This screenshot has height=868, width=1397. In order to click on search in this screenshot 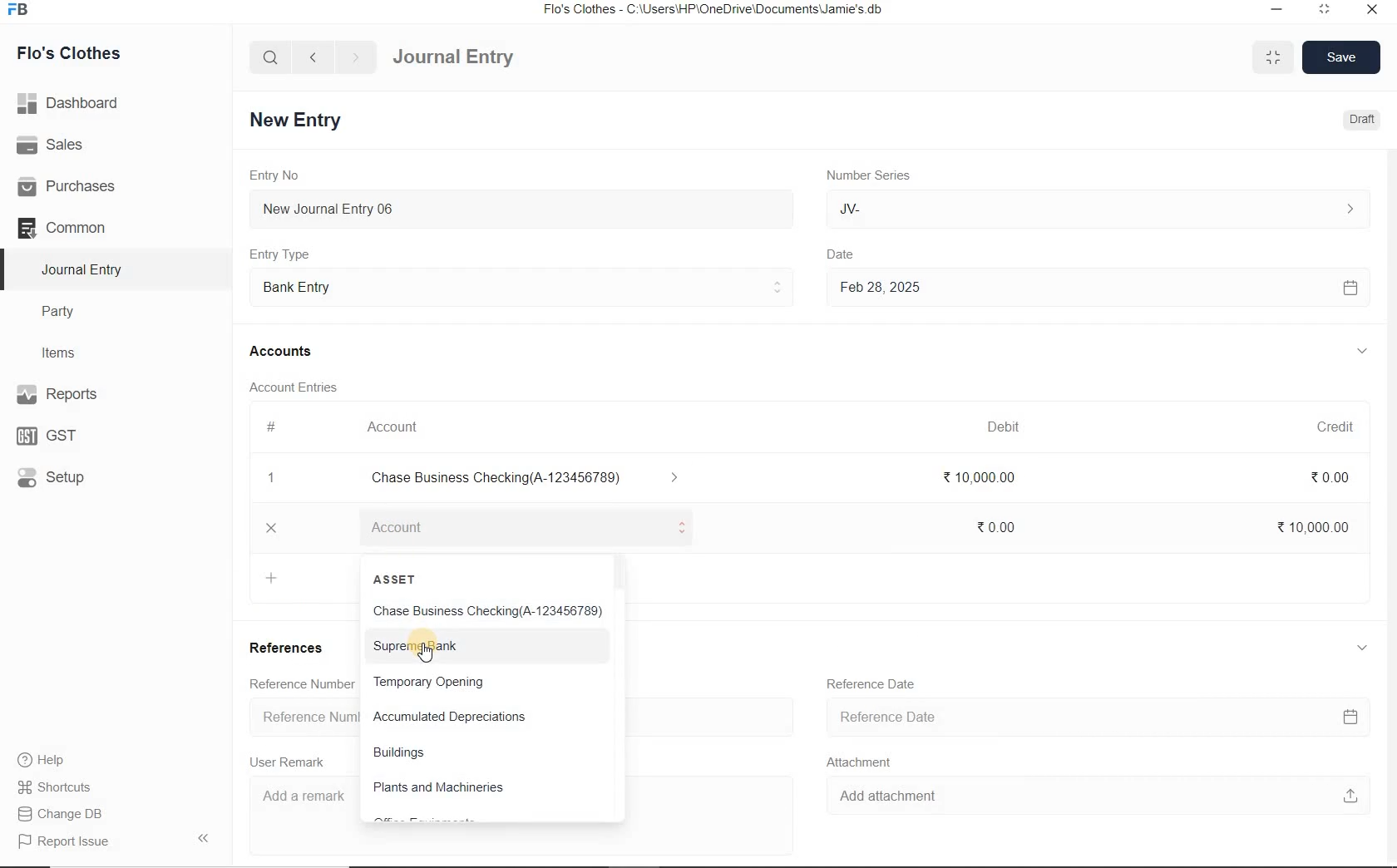, I will do `click(271, 57)`.